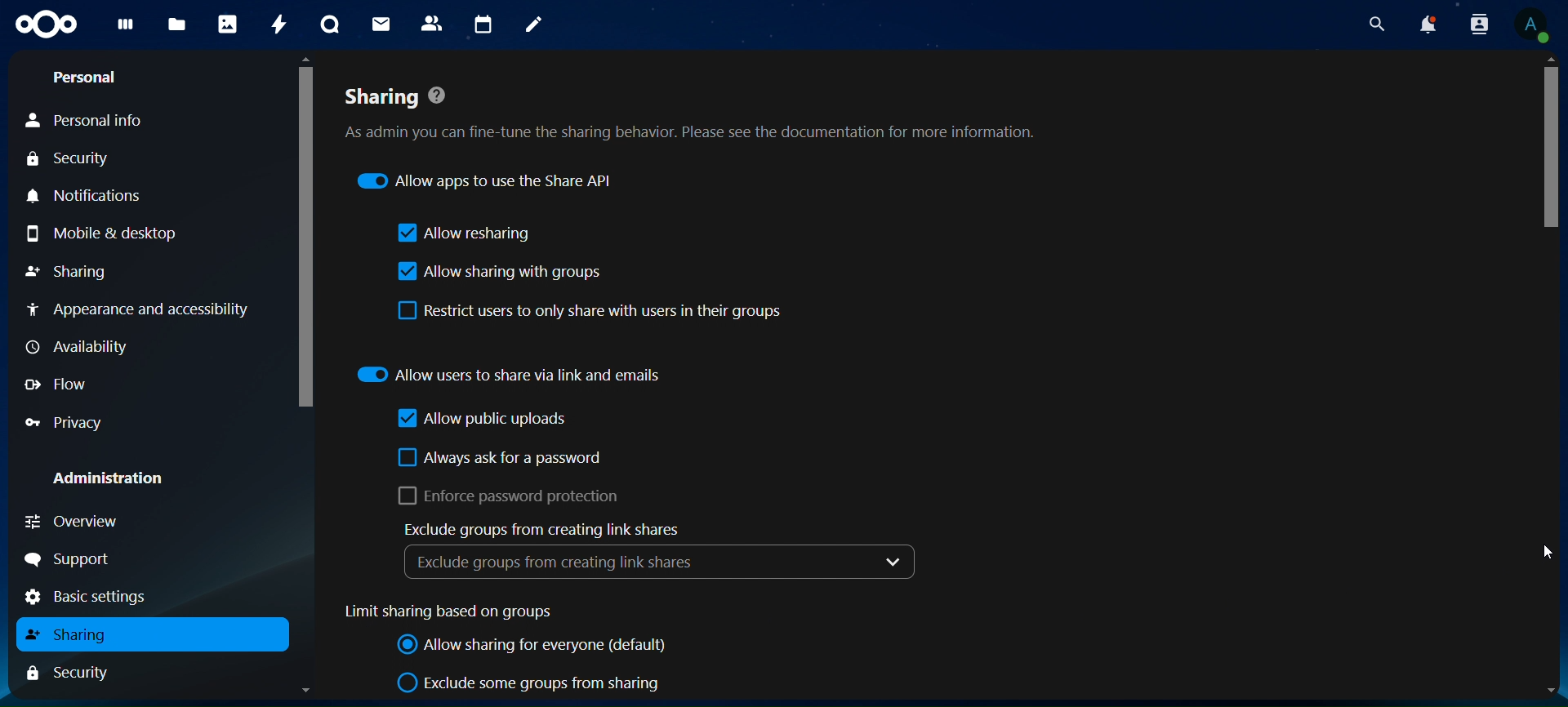 The width and height of the screenshot is (1568, 707). Describe the element at coordinates (378, 24) in the screenshot. I see `mail` at that location.